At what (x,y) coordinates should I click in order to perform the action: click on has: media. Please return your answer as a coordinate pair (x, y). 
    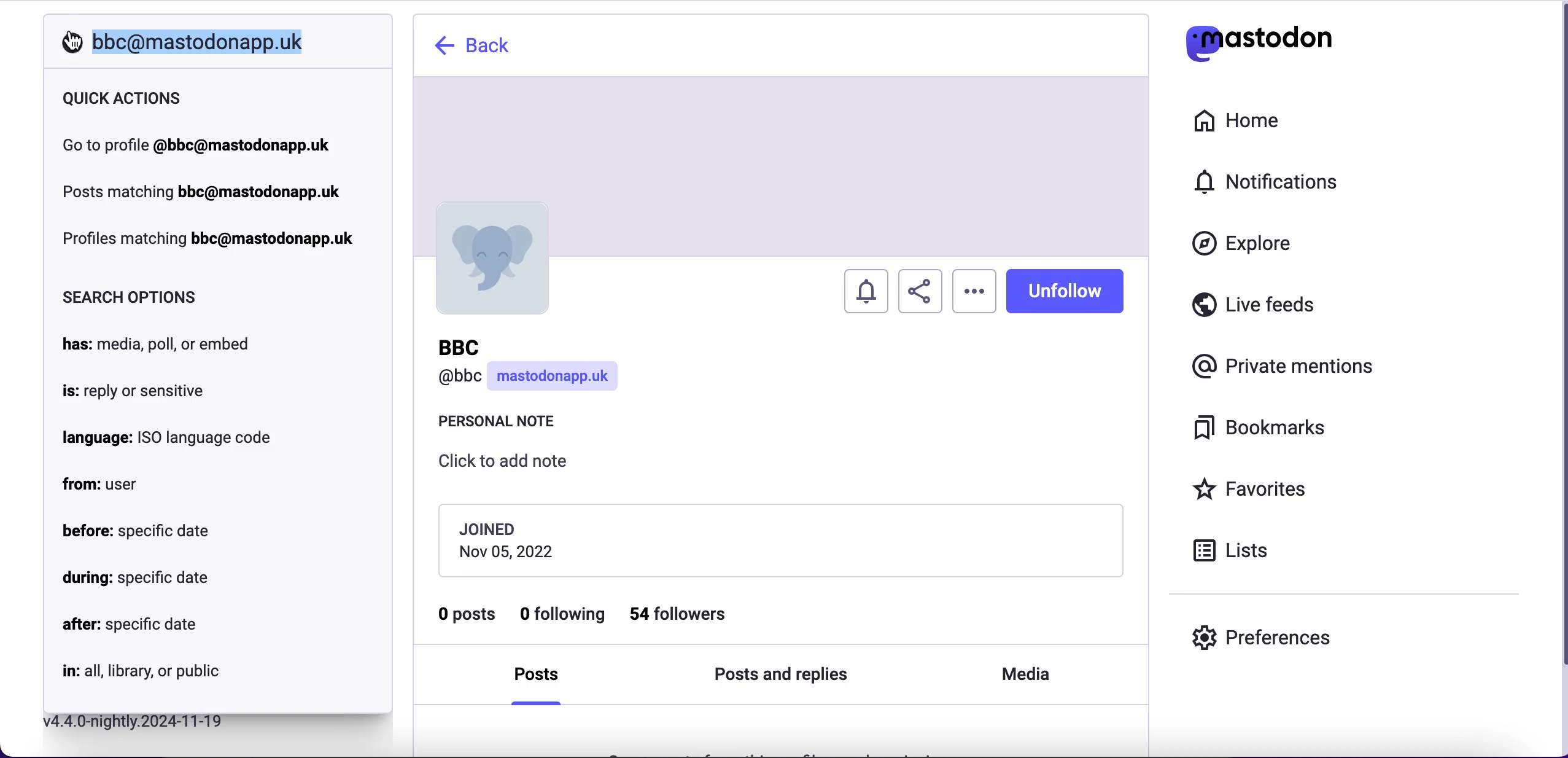
    Looking at the image, I should click on (163, 345).